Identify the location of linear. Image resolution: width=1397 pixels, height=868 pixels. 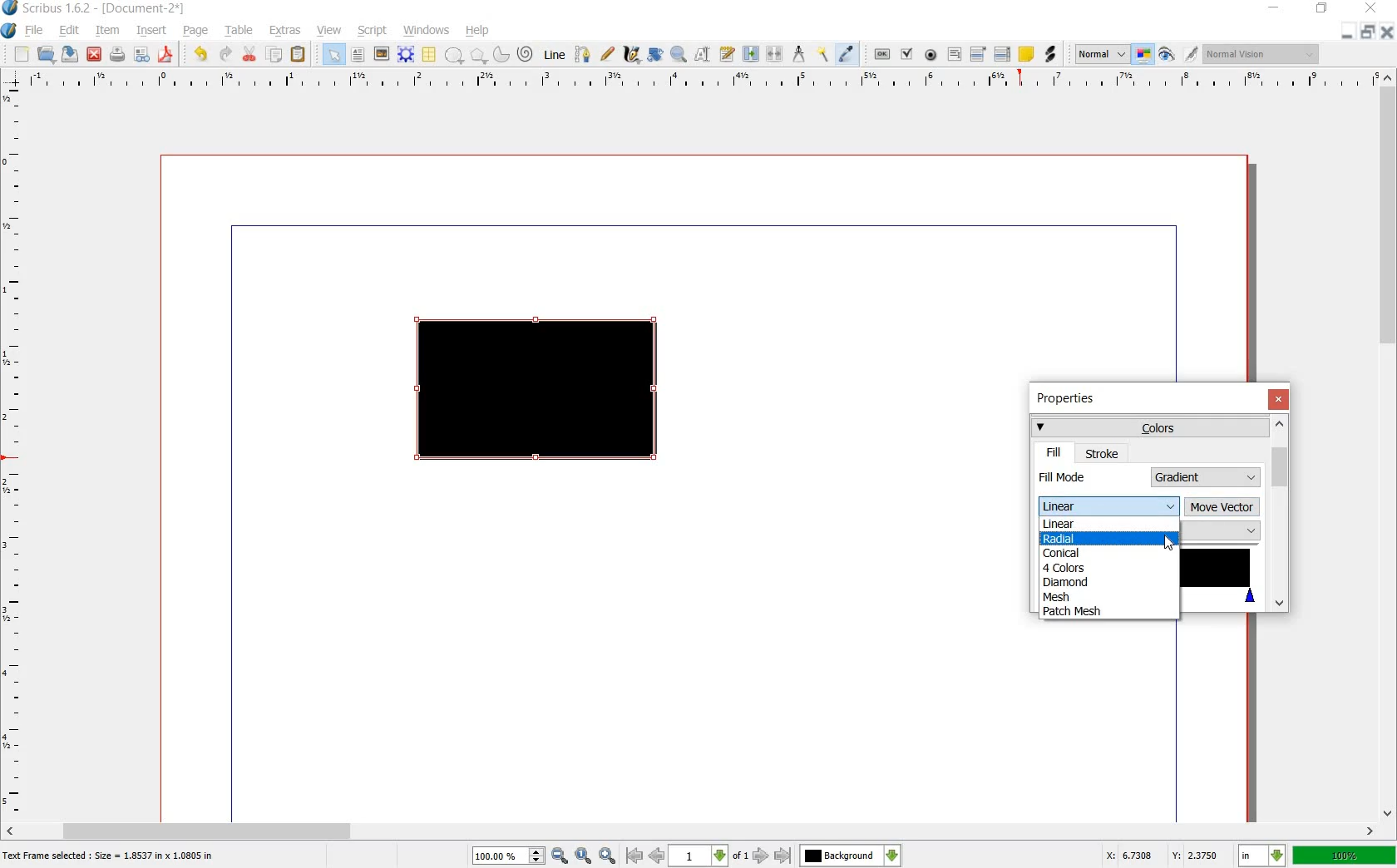
(1066, 525).